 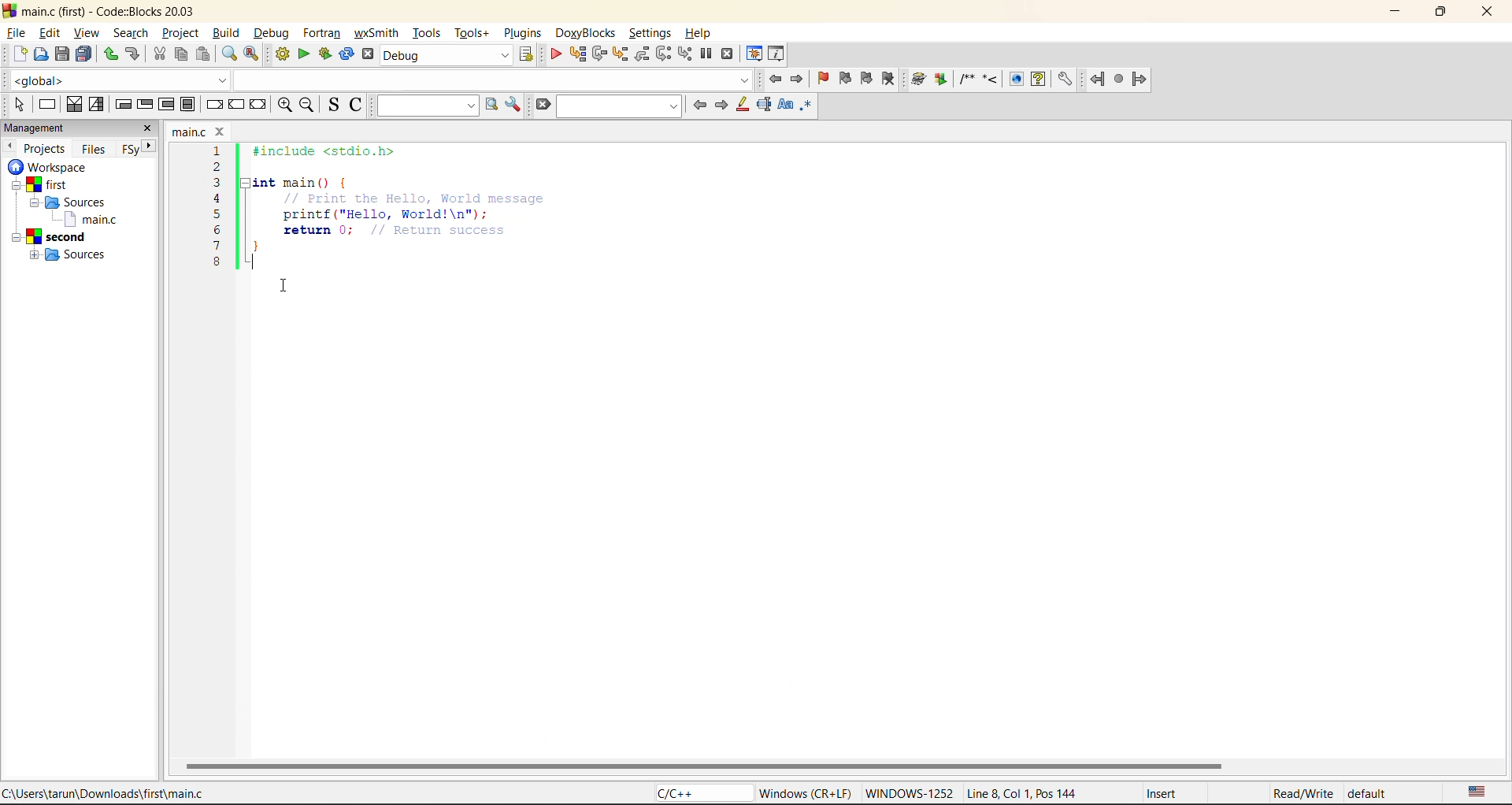 I want to click on jump forward, so click(x=1141, y=80).